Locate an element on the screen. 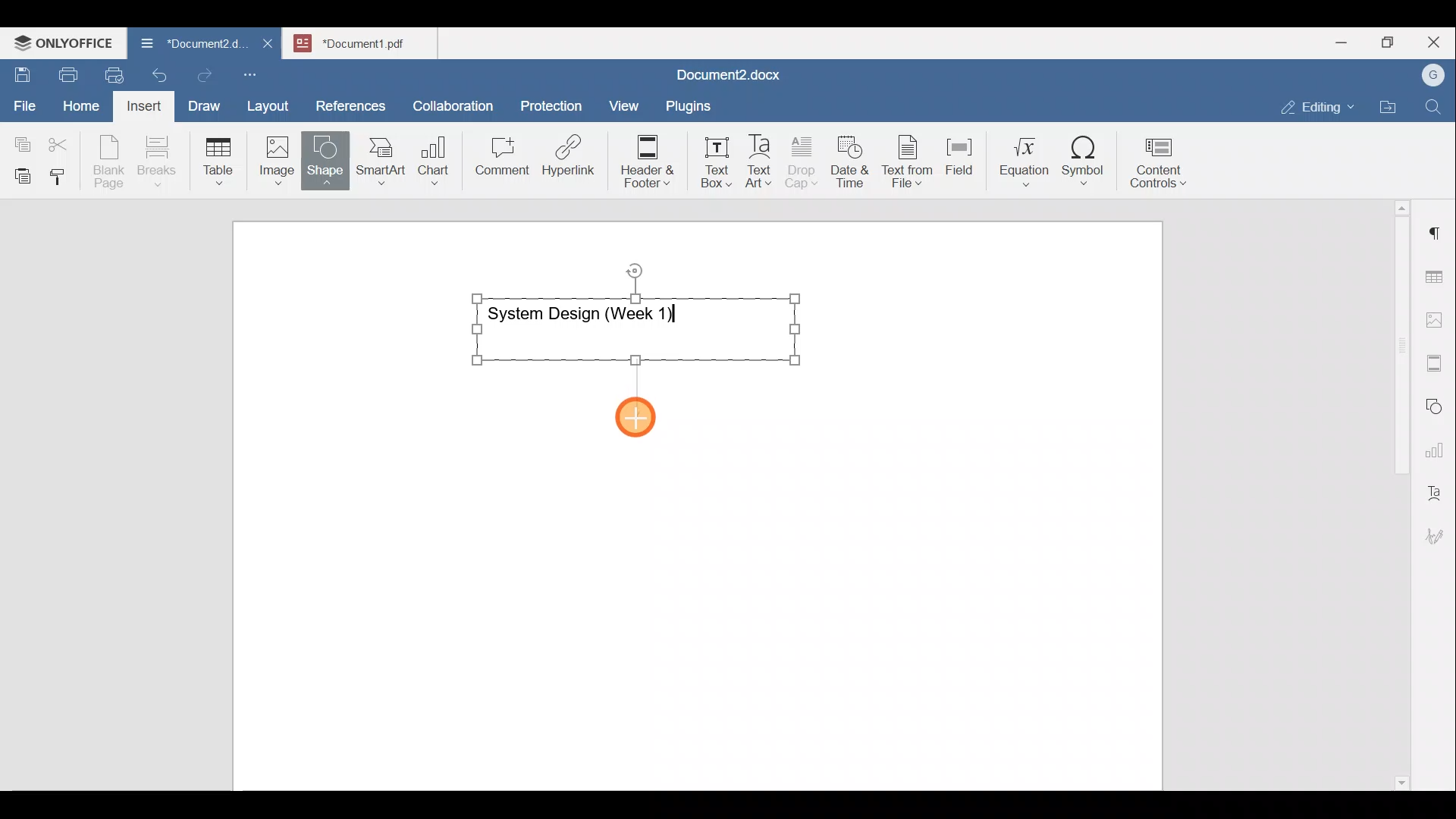 Image resolution: width=1456 pixels, height=819 pixels. Print file is located at coordinates (65, 72).